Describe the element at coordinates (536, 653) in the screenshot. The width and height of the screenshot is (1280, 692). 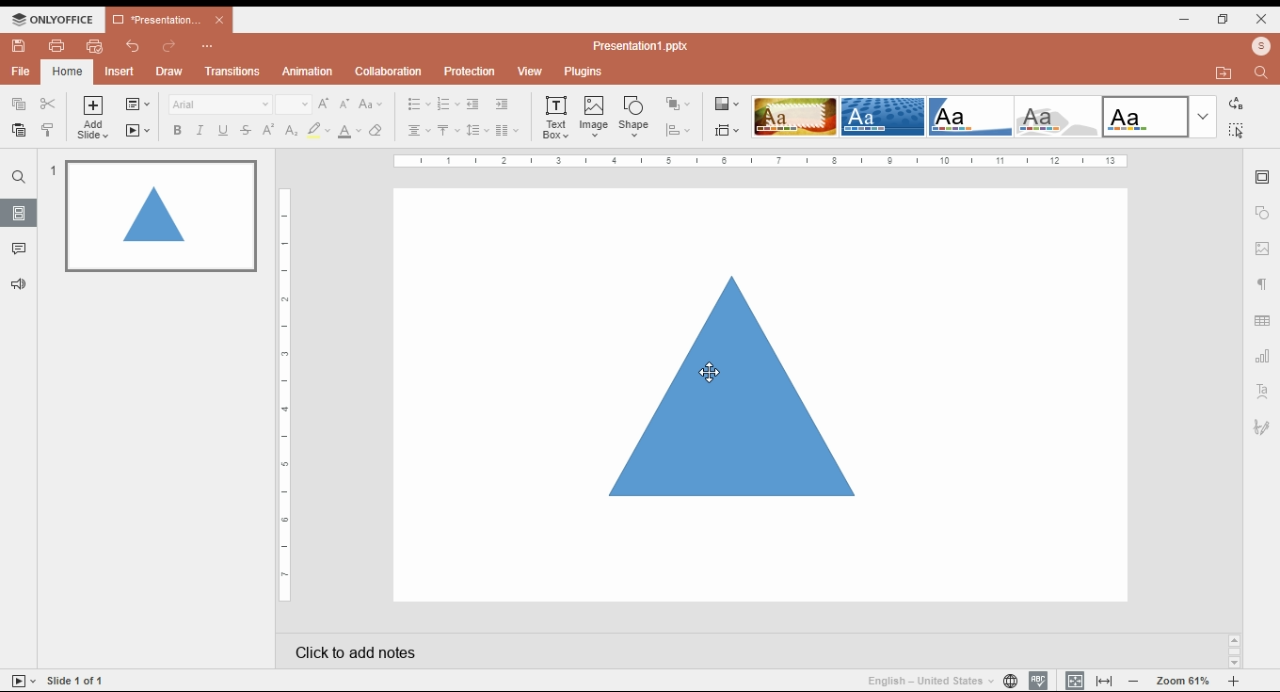
I see `click add notes` at that location.